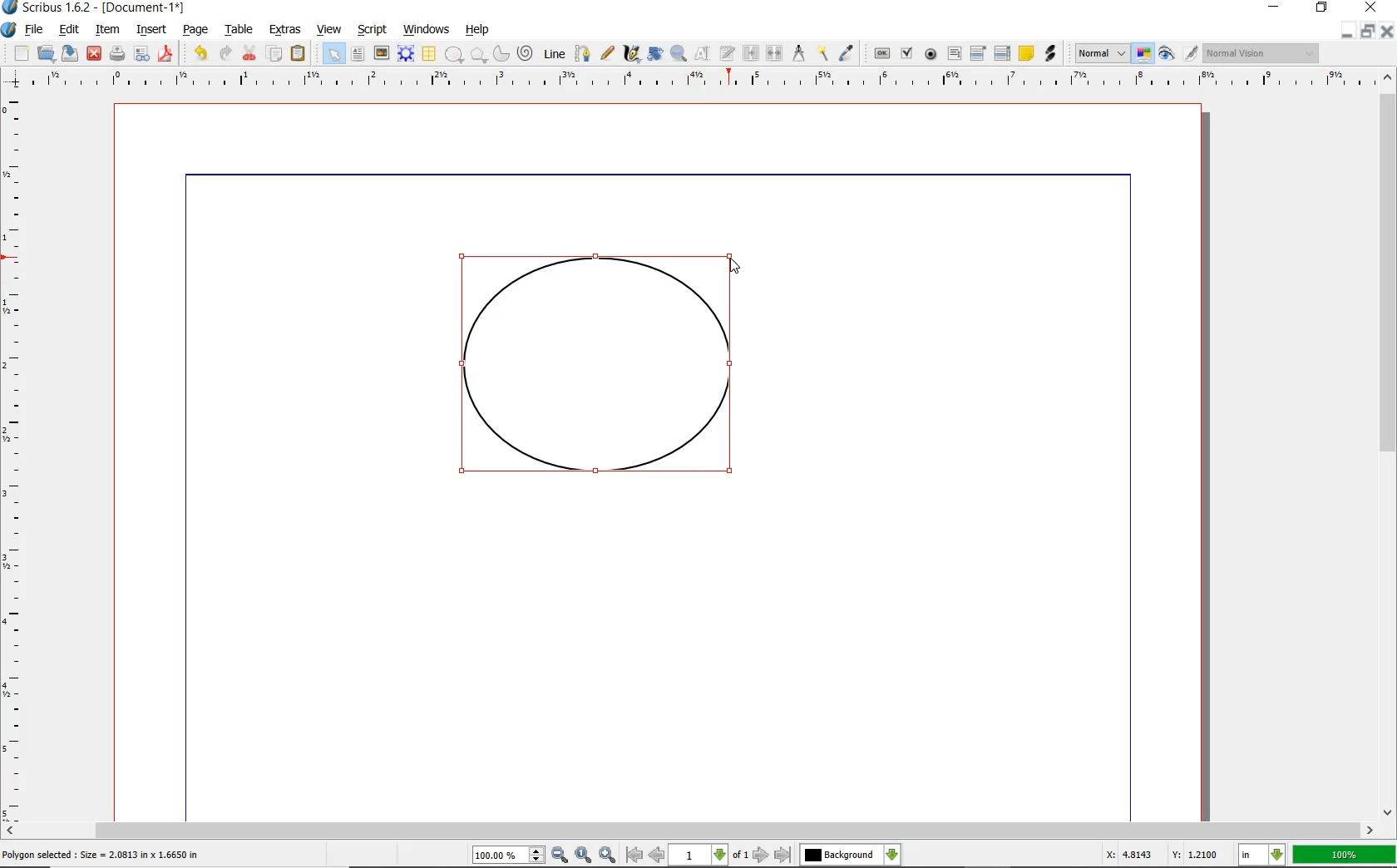  What do you see at coordinates (931, 53) in the screenshot?
I see `PDF RADIO BUTTON` at bounding box center [931, 53].